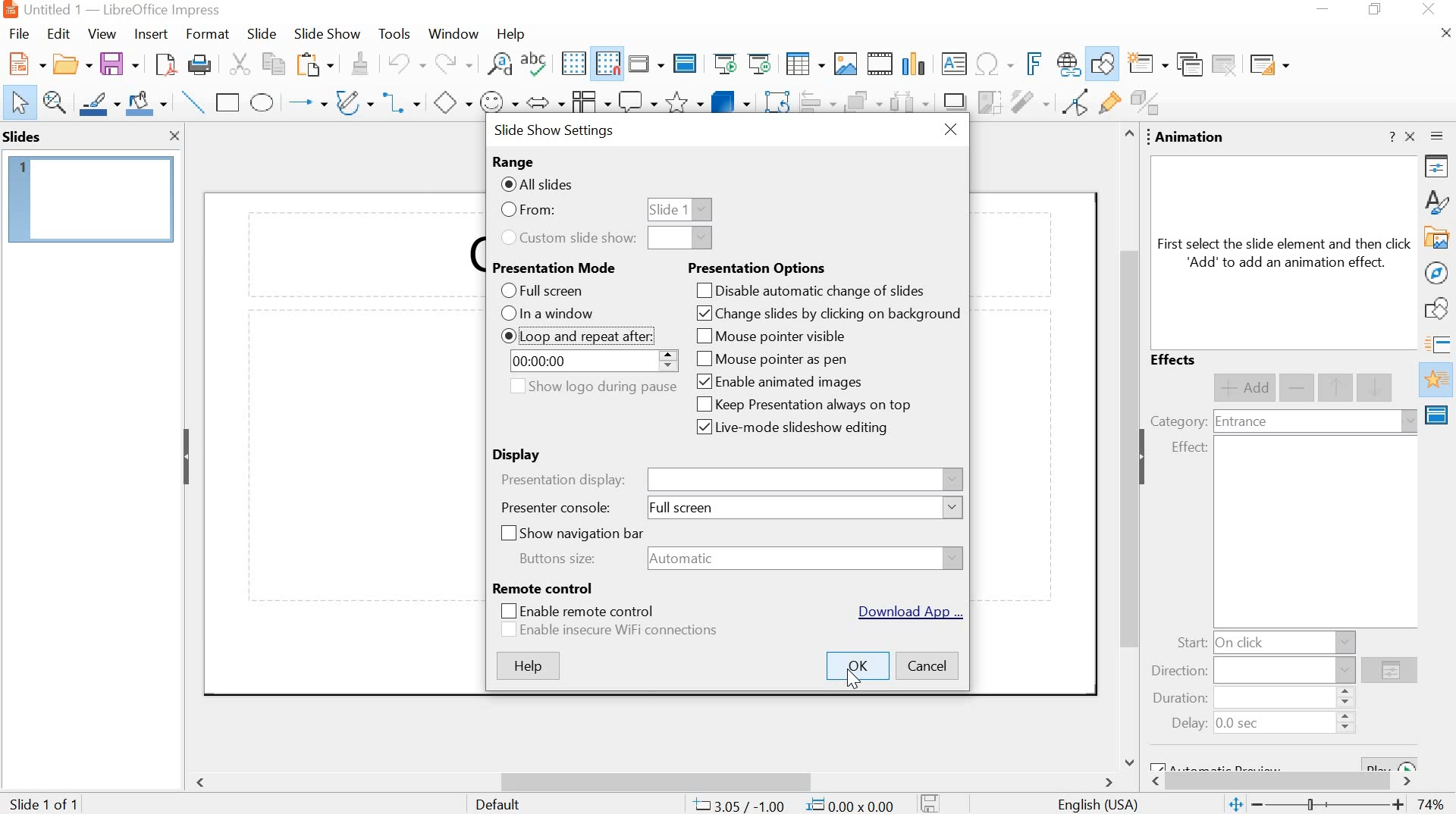 The image size is (1456, 814). Describe the element at coordinates (451, 105) in the screenshot. I see `basic shapes` at that location.